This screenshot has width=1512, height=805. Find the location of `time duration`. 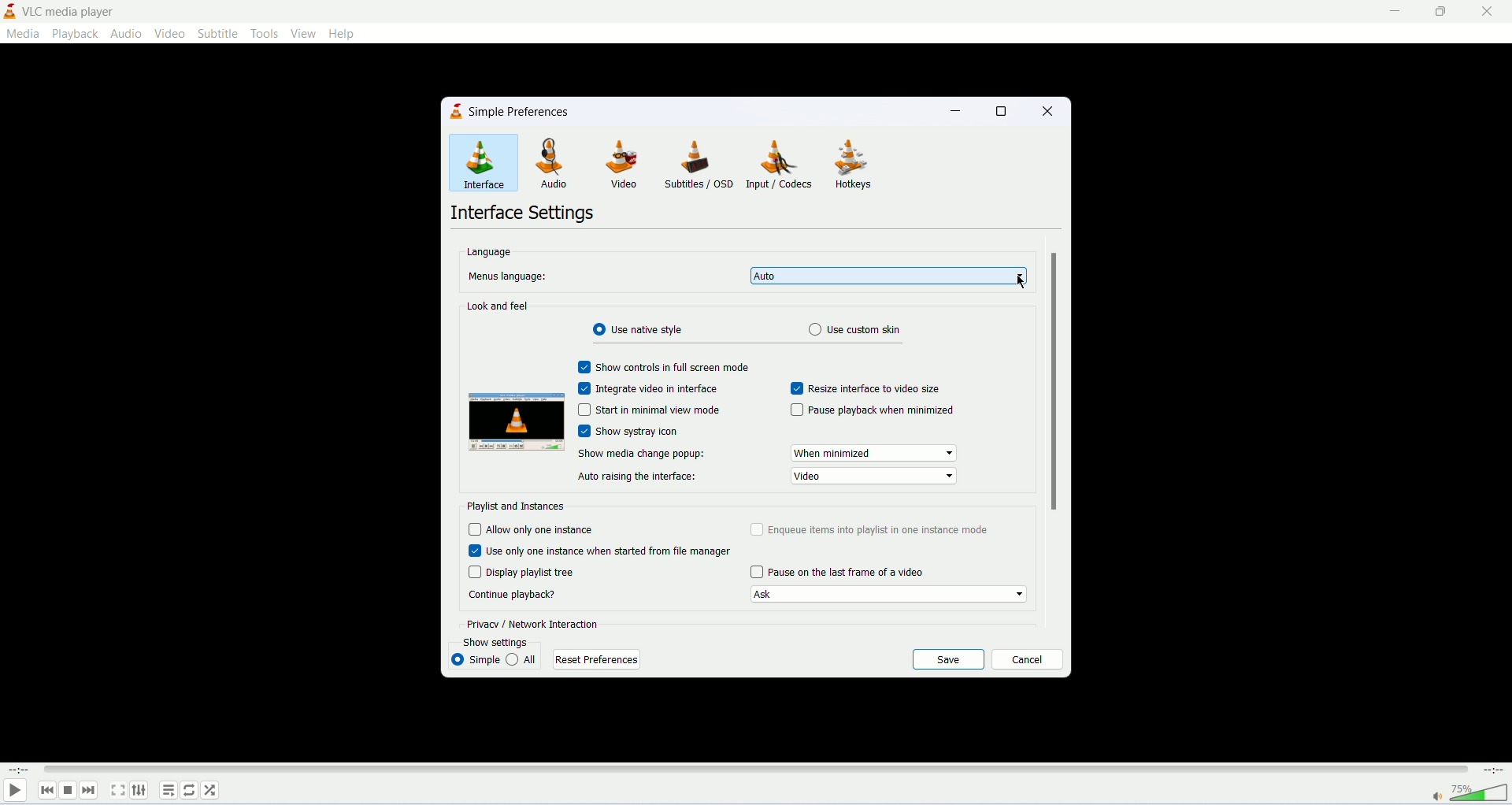

time duration is located at coordinates (1495, 770).